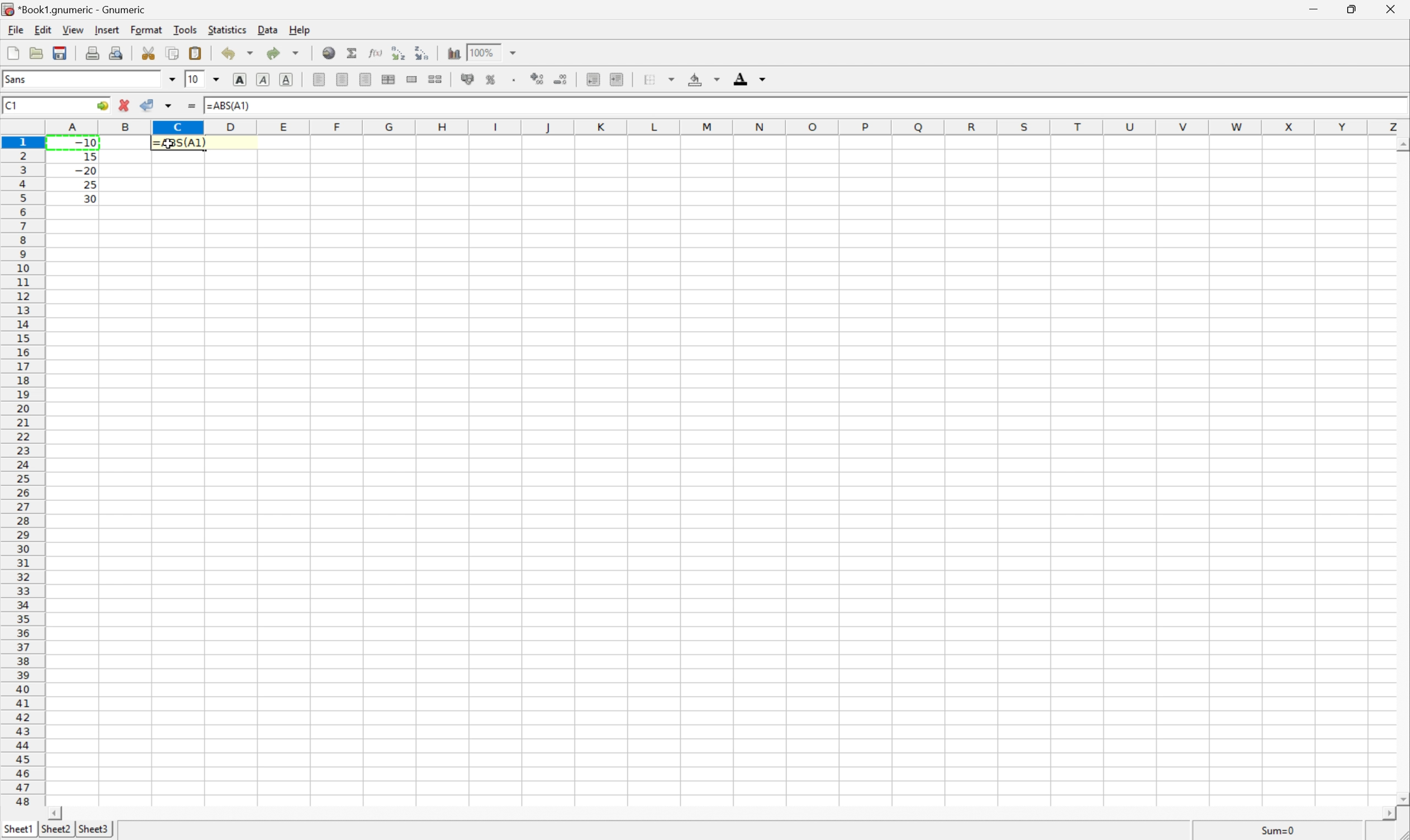 Image resolution: width=1410 pixels, height=840 pixels. What do you see at coordinates (89, 185) in the screenshot?
I see `25` at bounding box center [89, 185].